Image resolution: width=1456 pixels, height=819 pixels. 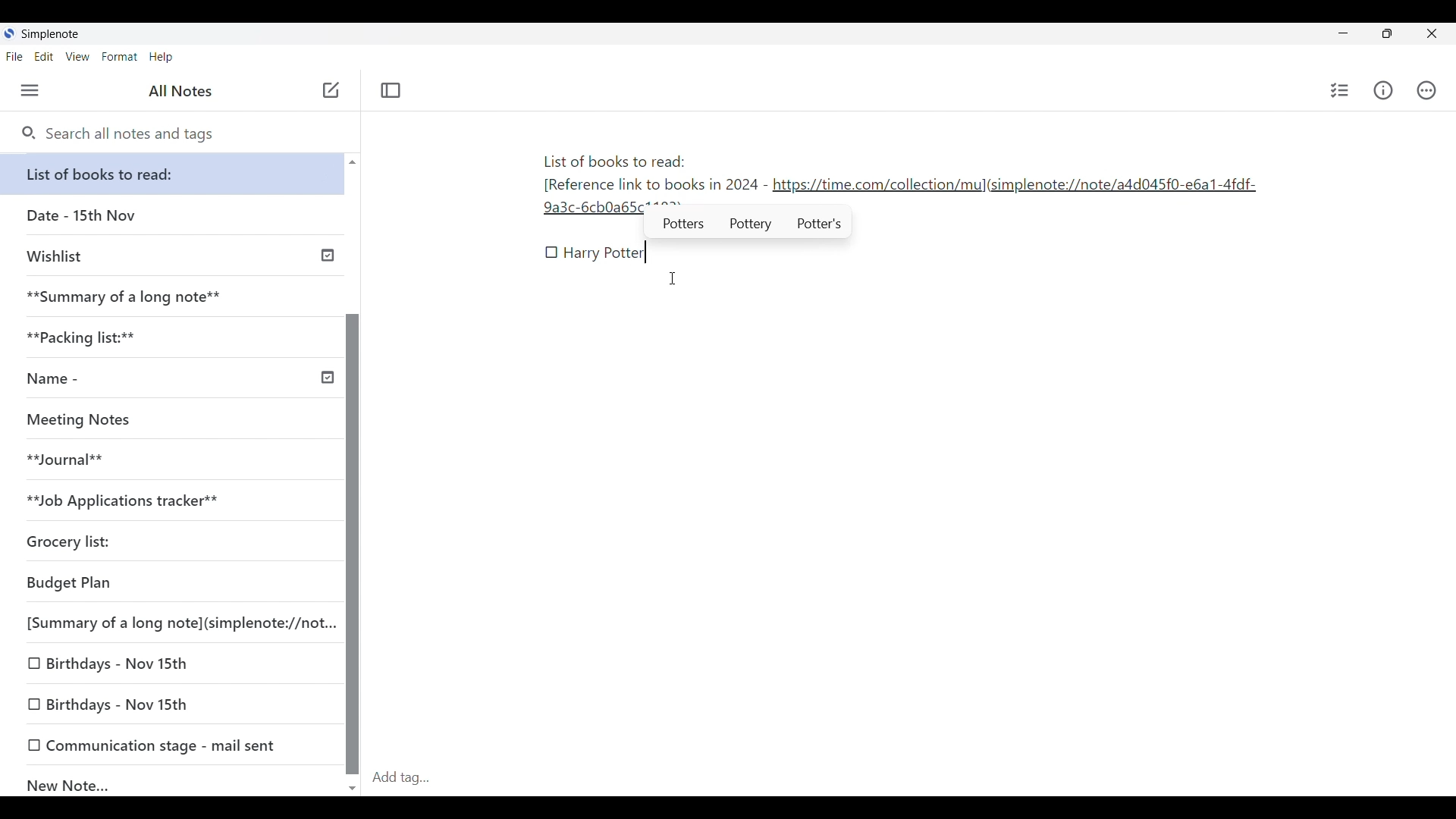 I want to click on **Journal**, so click(x=168, y=460).